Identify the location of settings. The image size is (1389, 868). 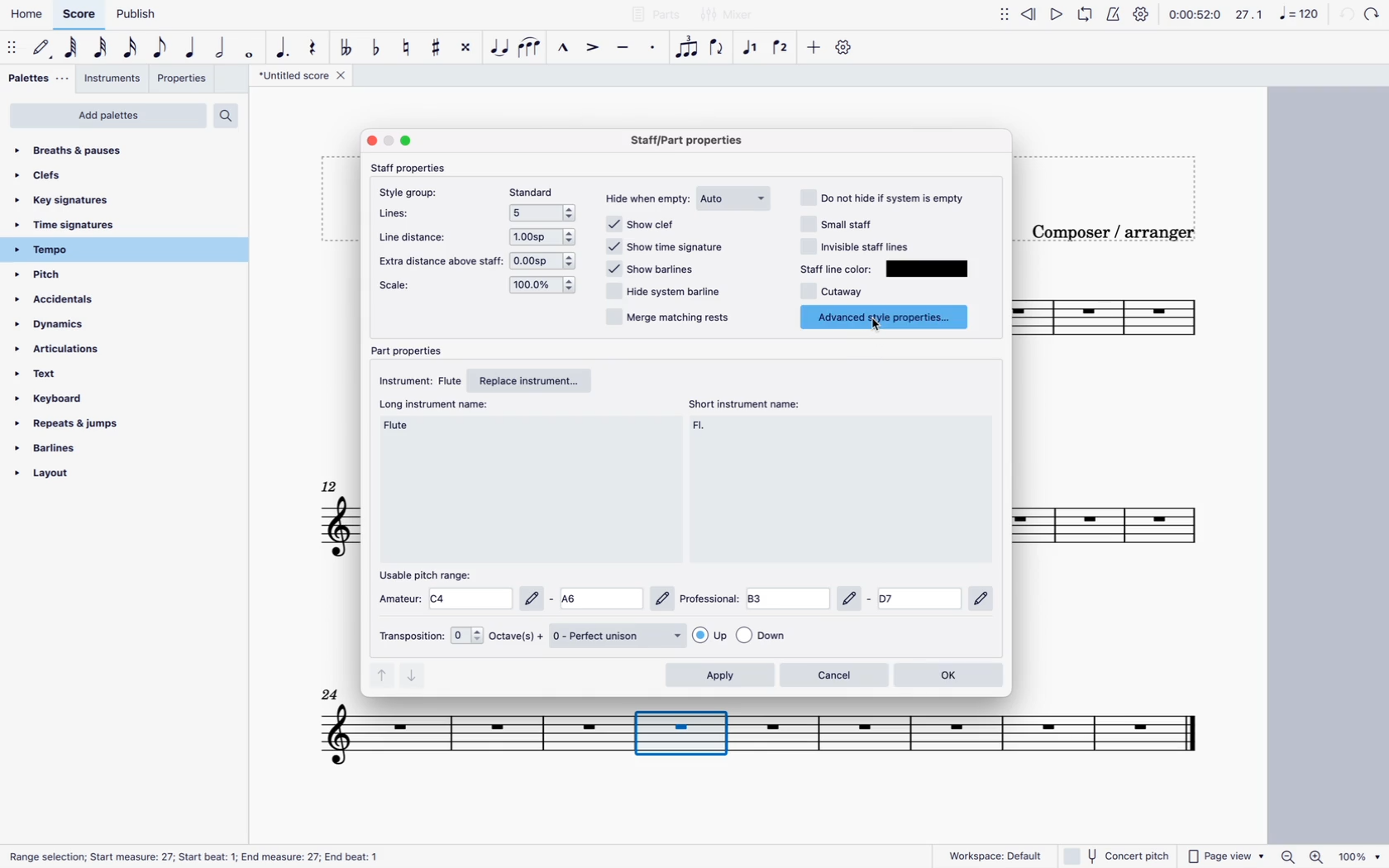
(846, 49).